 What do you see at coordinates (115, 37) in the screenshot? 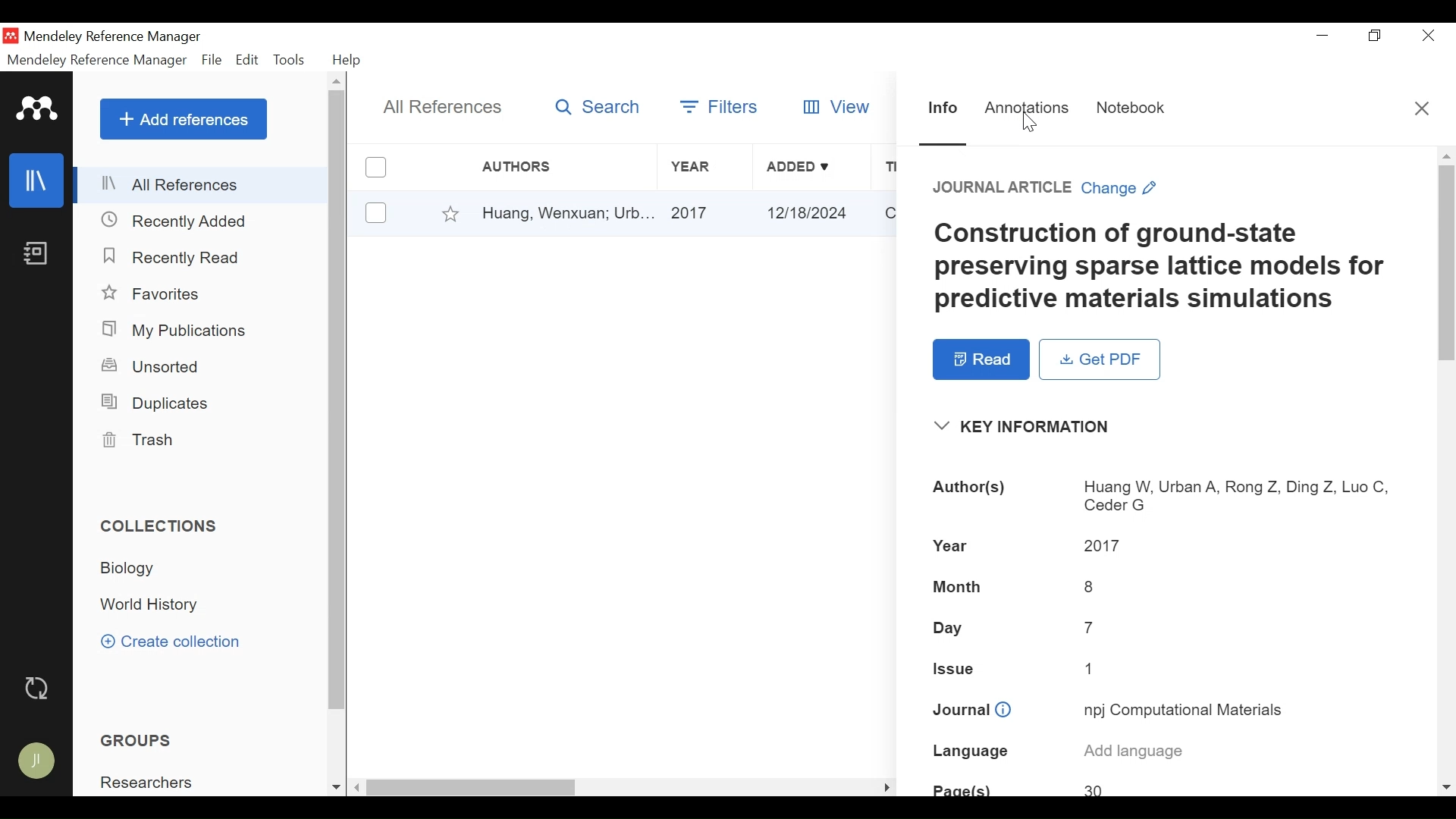
I see `Mendeley Reference Manager` at bounding box center [115, 37].